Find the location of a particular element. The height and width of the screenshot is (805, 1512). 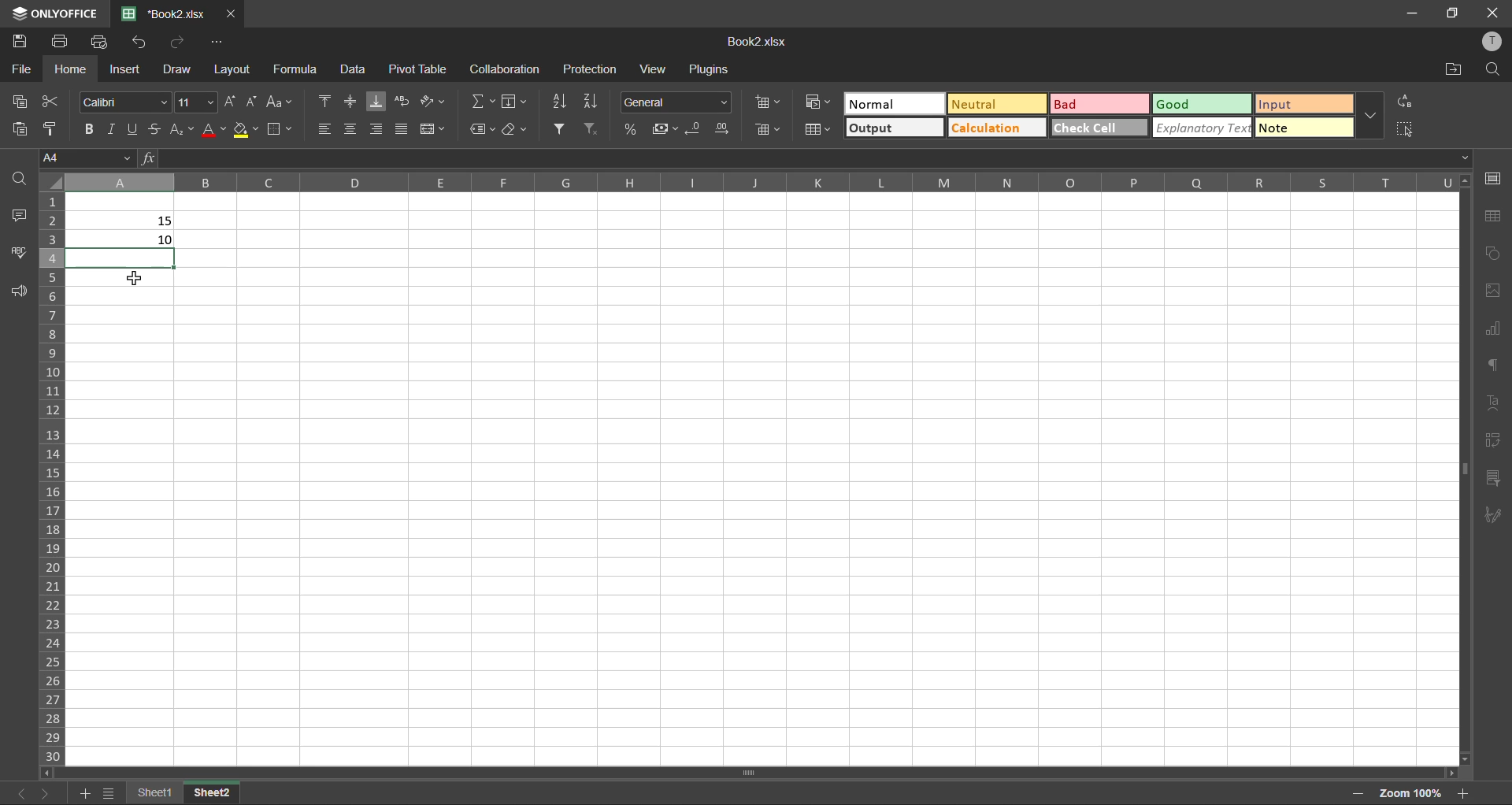

cut is located at coordinates (49, 102).